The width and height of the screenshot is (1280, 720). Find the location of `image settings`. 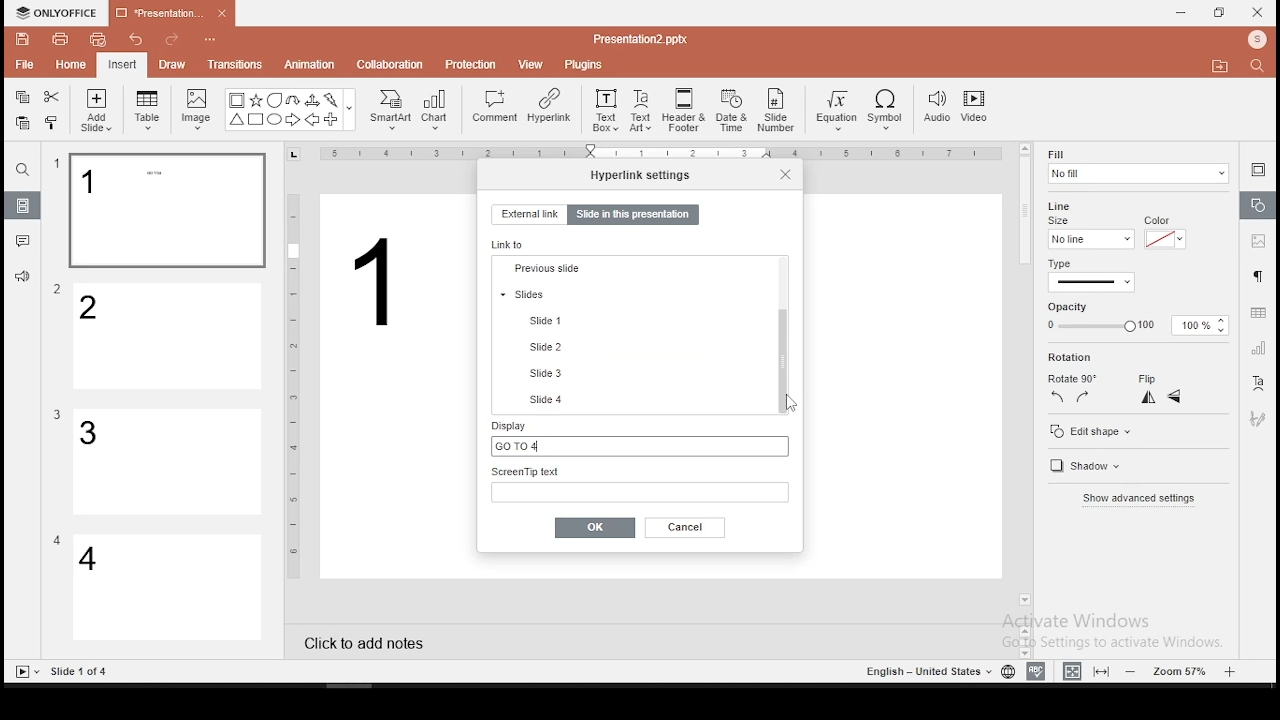

image settings is located at coordinates (1256, 243).